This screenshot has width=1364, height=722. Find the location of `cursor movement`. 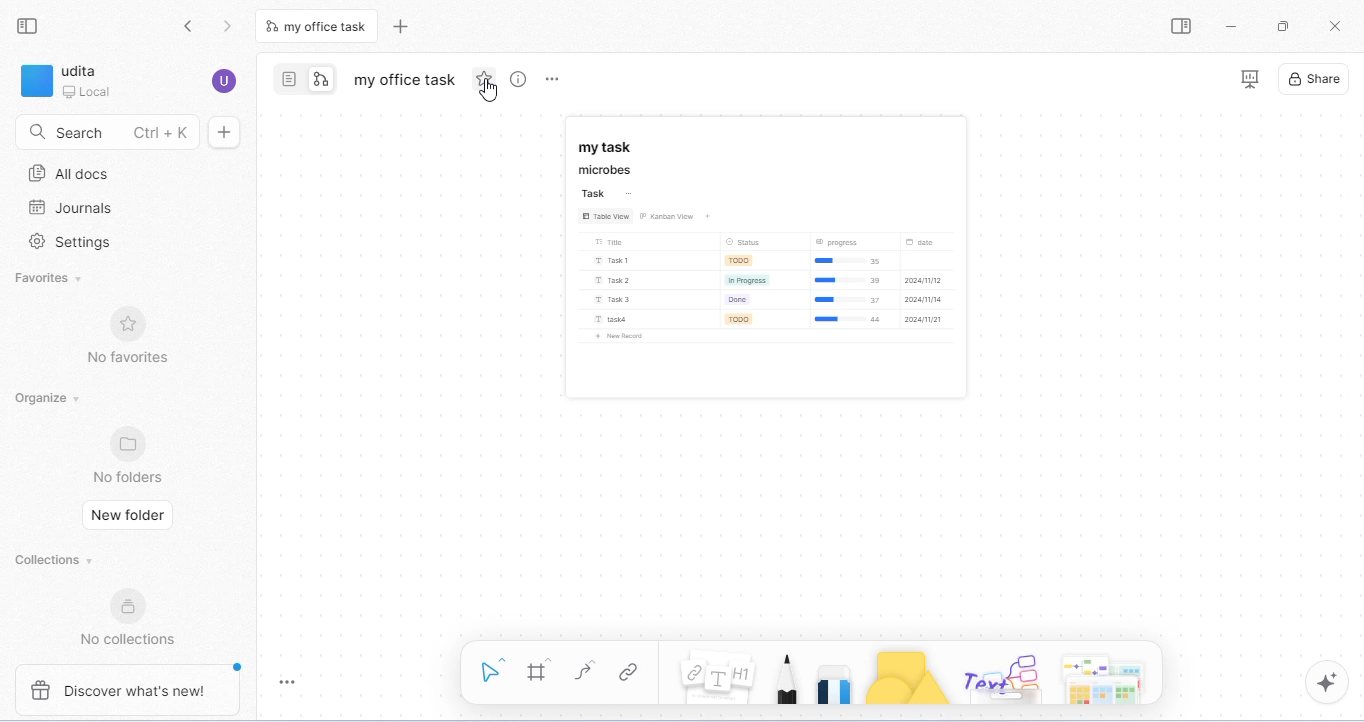

cursor movement is located at coordinates (491, 92).